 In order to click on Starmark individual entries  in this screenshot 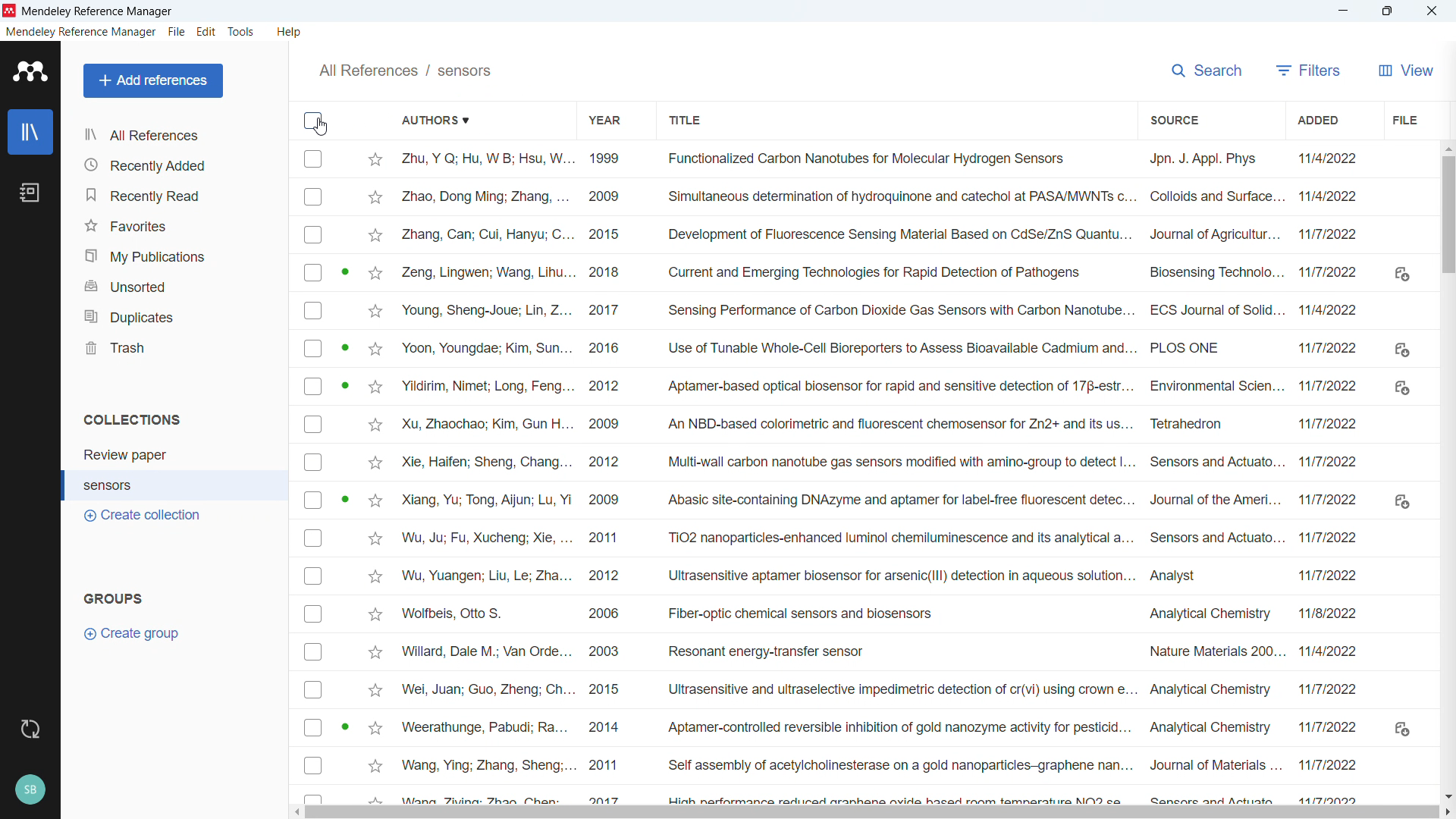, I will do `click(375, 476)`.